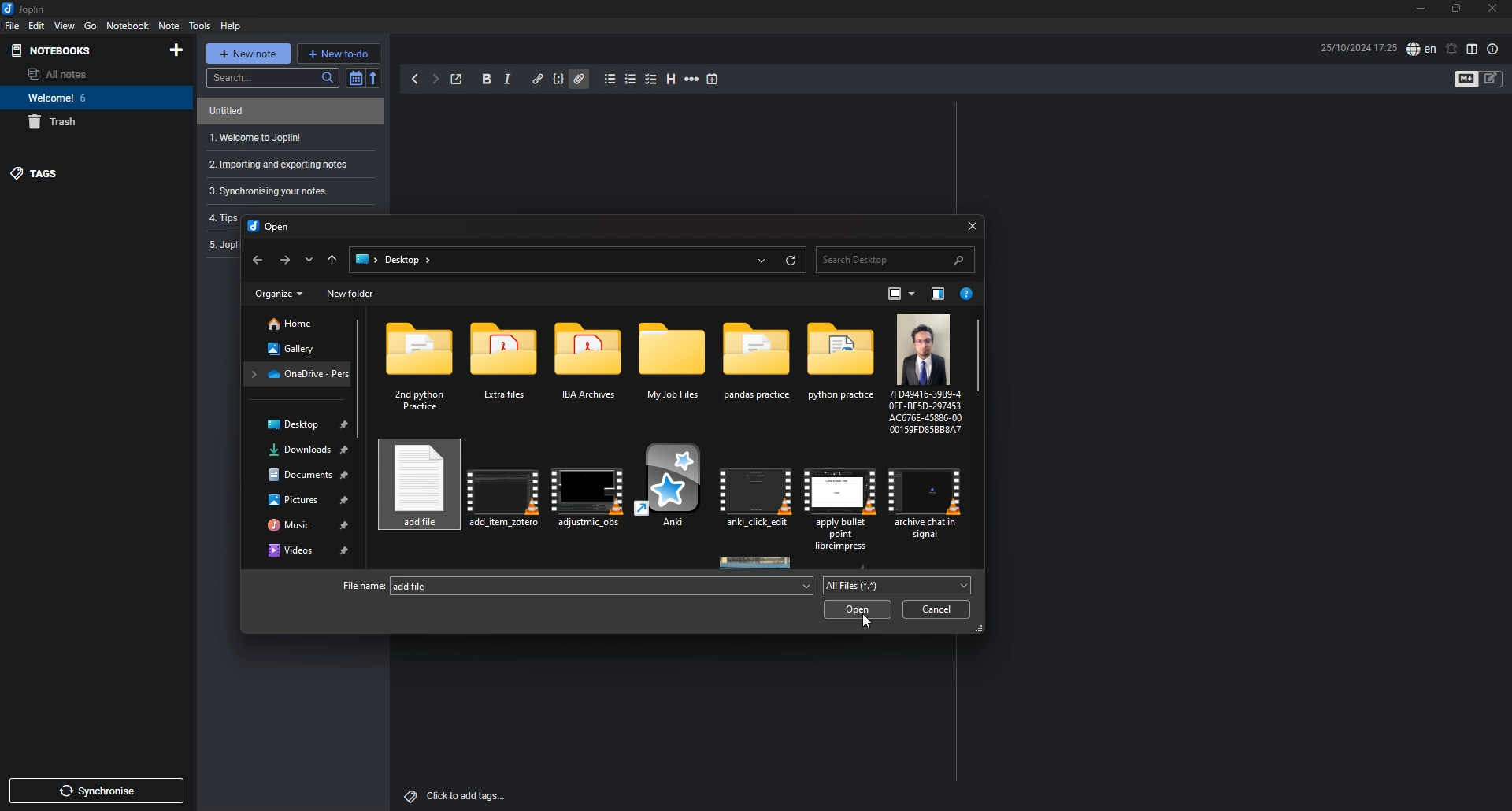 This screenshot has width=1512, height=811. I want to click on downloads, so click(301, 450).